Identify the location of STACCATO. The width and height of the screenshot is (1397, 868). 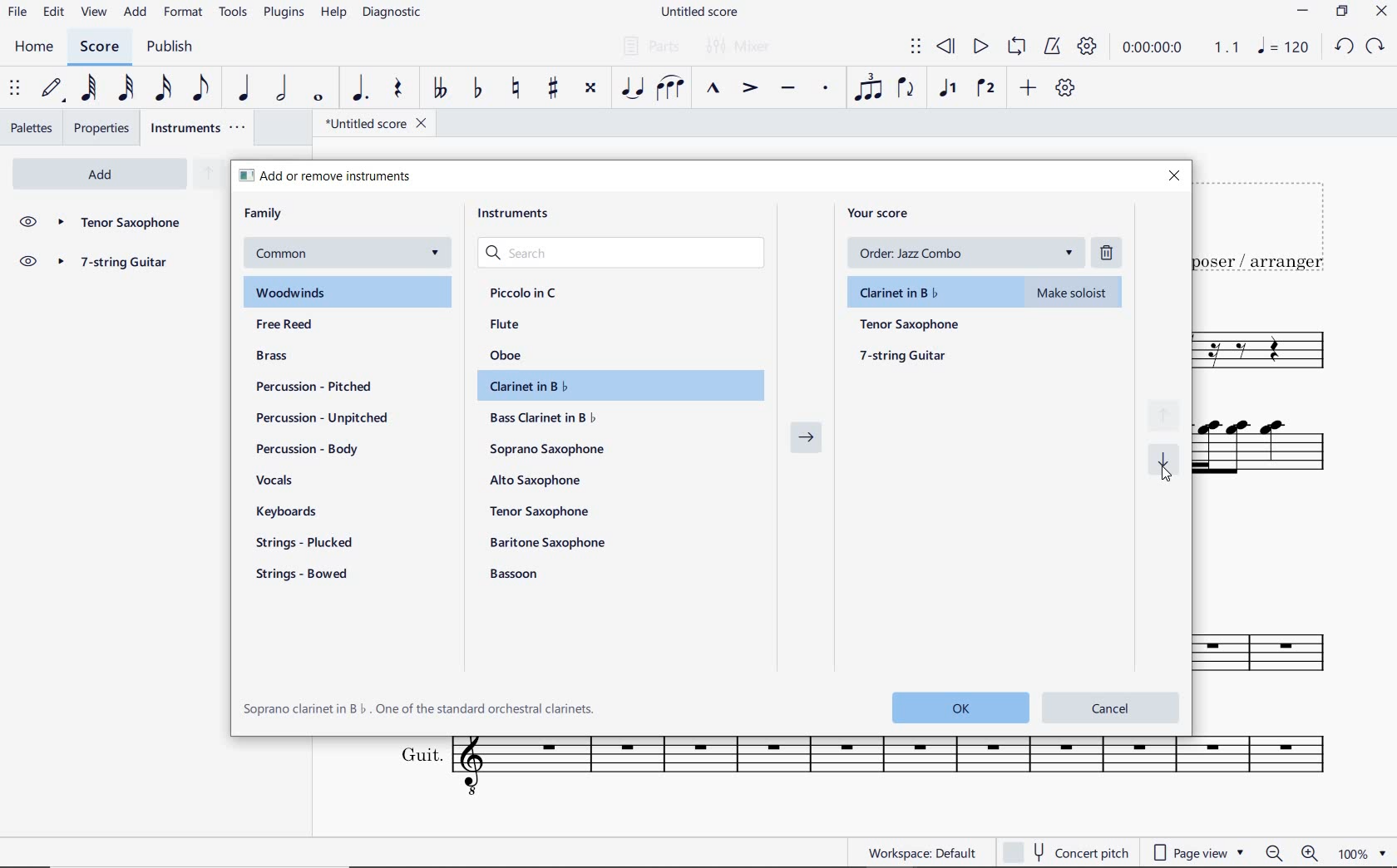
(825, 89).